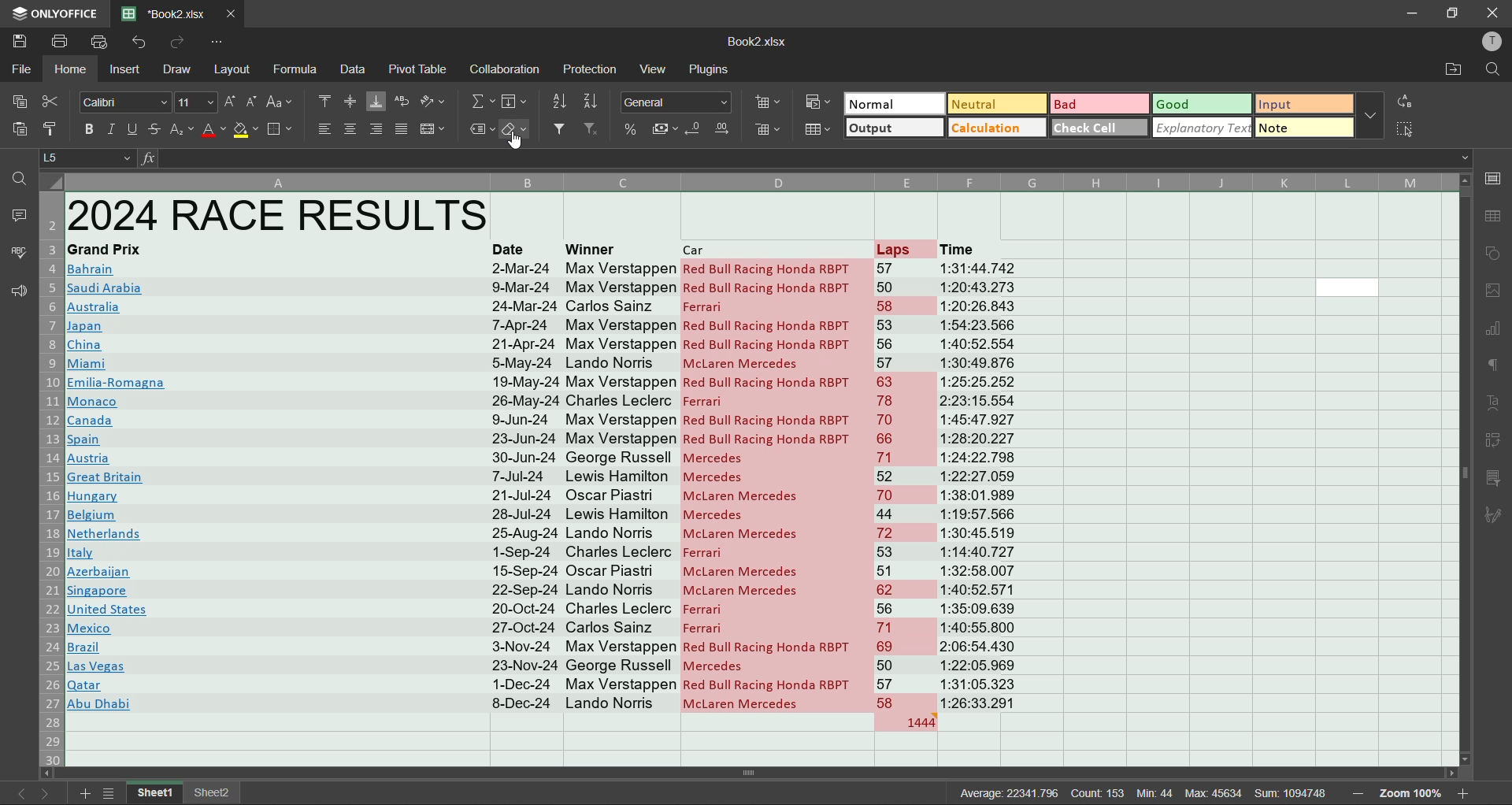 The height and width of the screenshot is (805, 1512). I want to click on spellcheck, so click(16, 254).